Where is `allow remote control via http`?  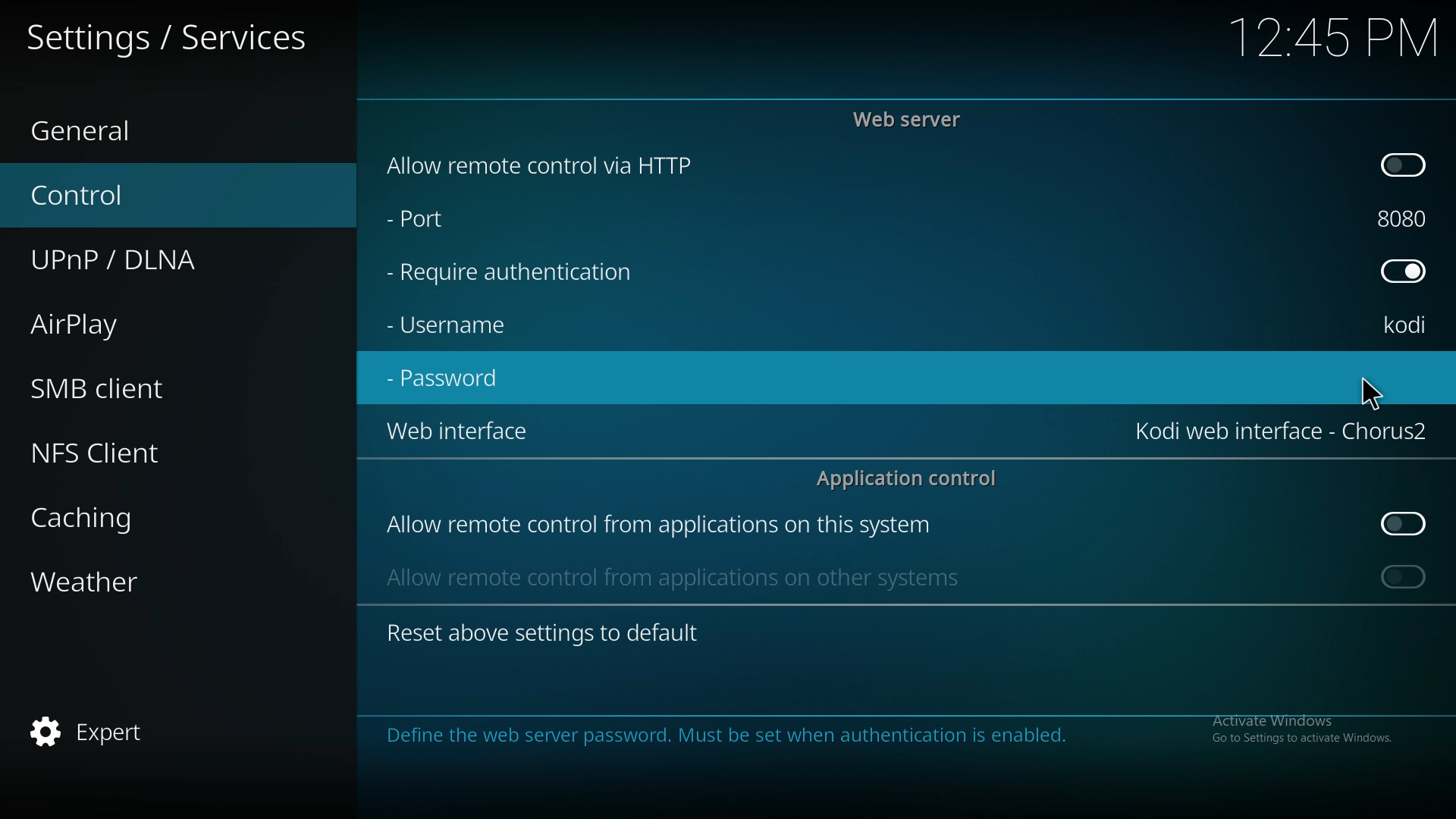 allow remote control via http is located at coordinates (542, 166).